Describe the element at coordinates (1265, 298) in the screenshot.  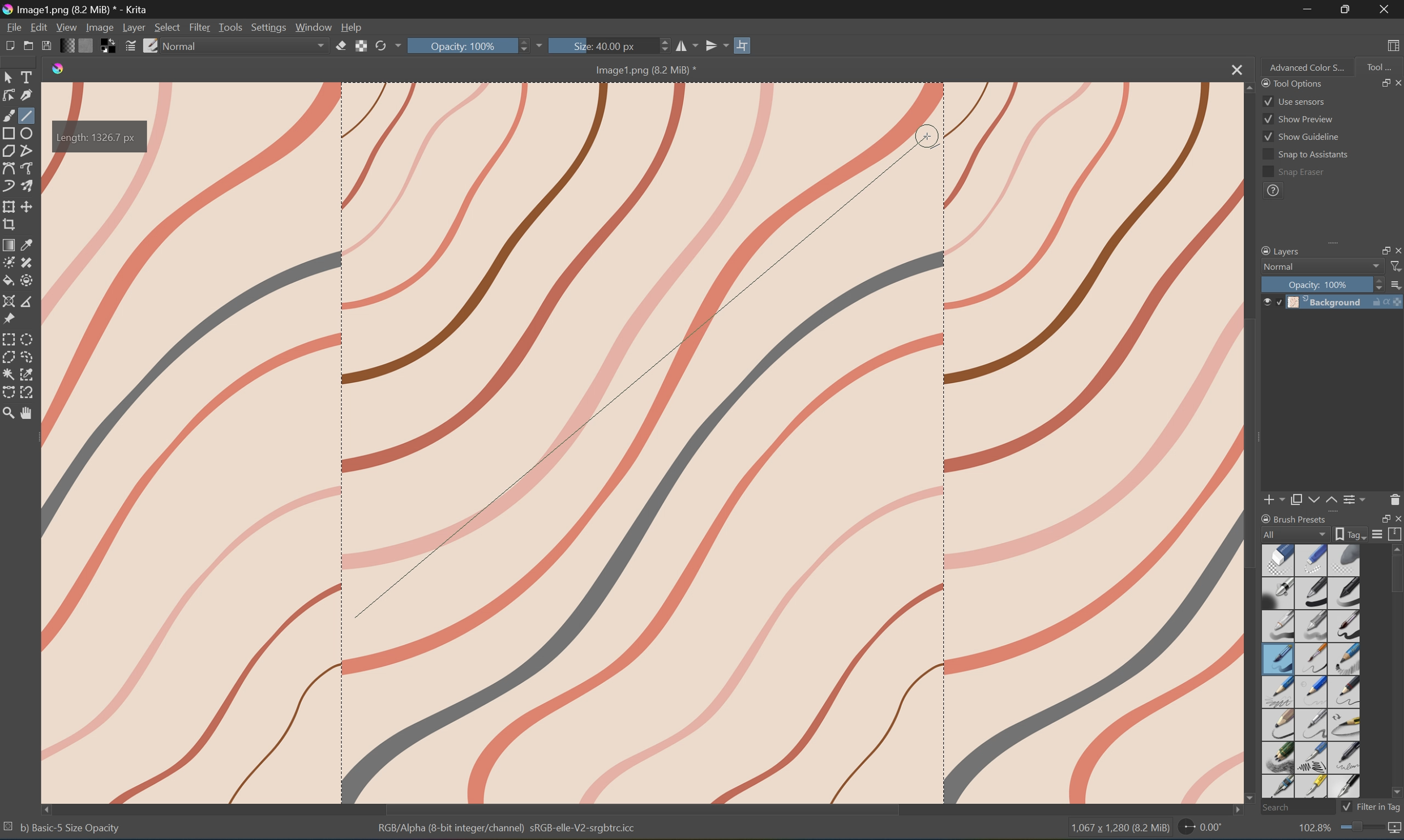
I see `Visibility` at that location.